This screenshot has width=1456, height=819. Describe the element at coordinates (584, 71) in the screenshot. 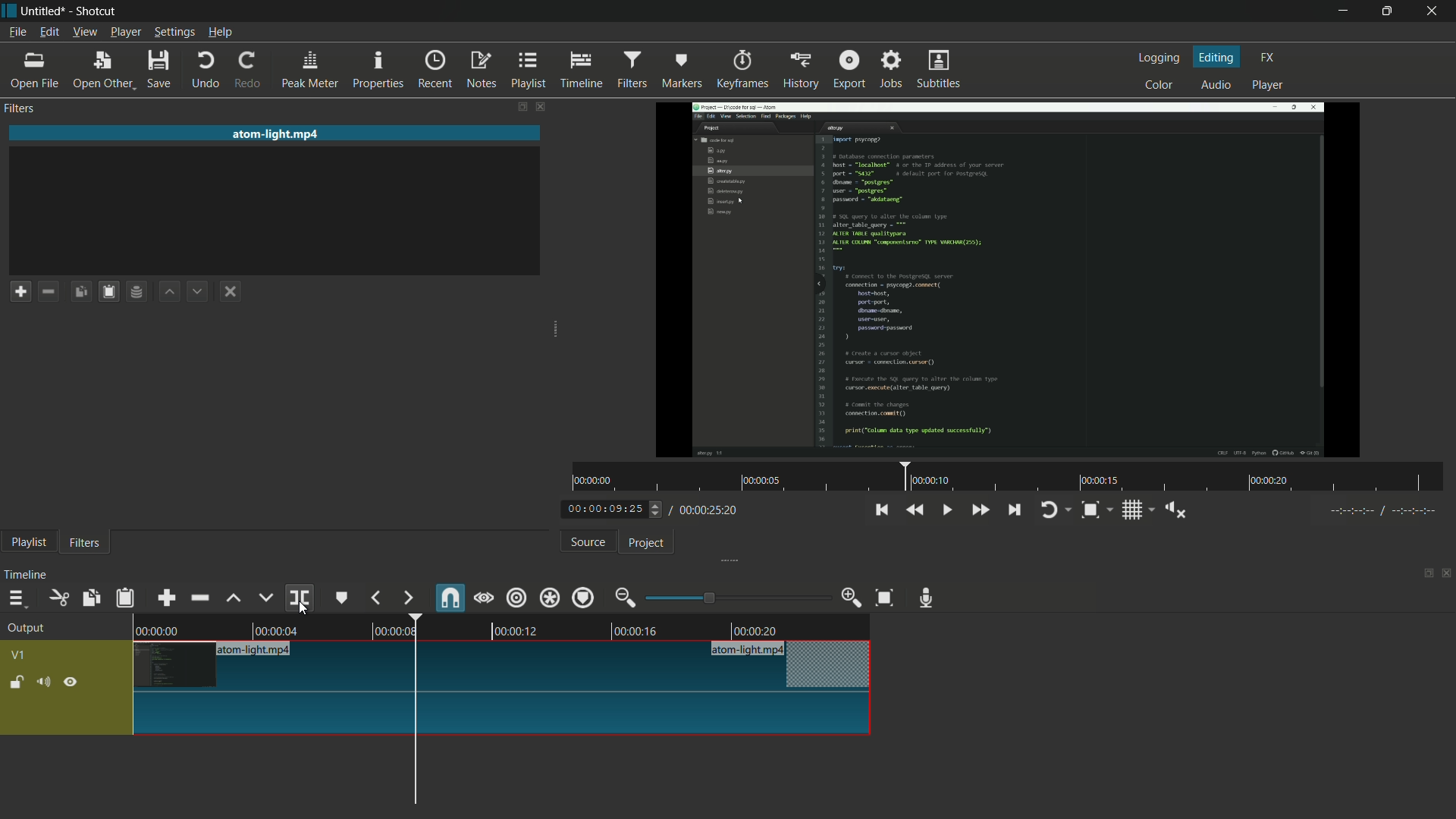

I see `timeline` at that location.